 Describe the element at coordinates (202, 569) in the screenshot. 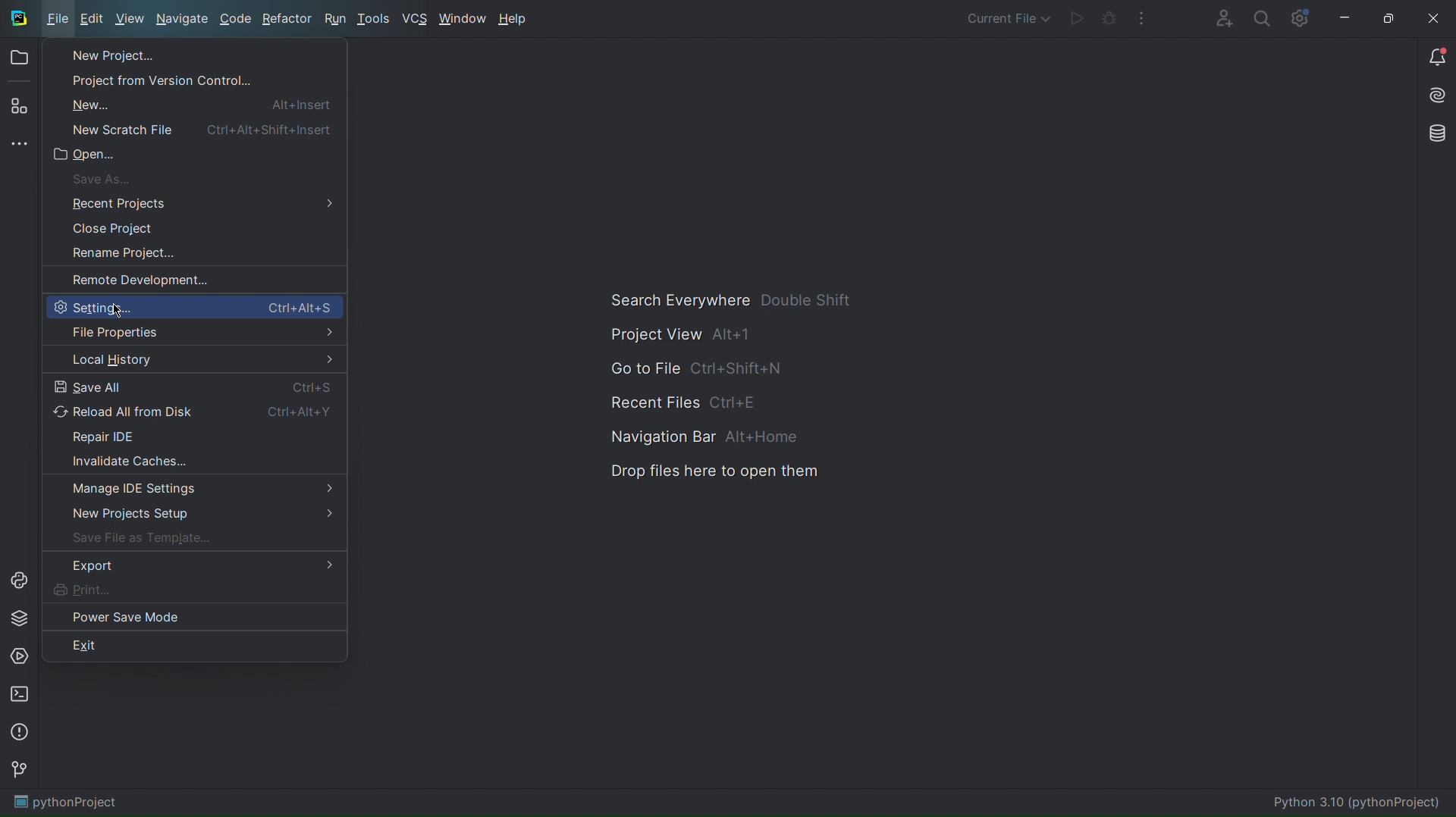

I see `Export` at that location.